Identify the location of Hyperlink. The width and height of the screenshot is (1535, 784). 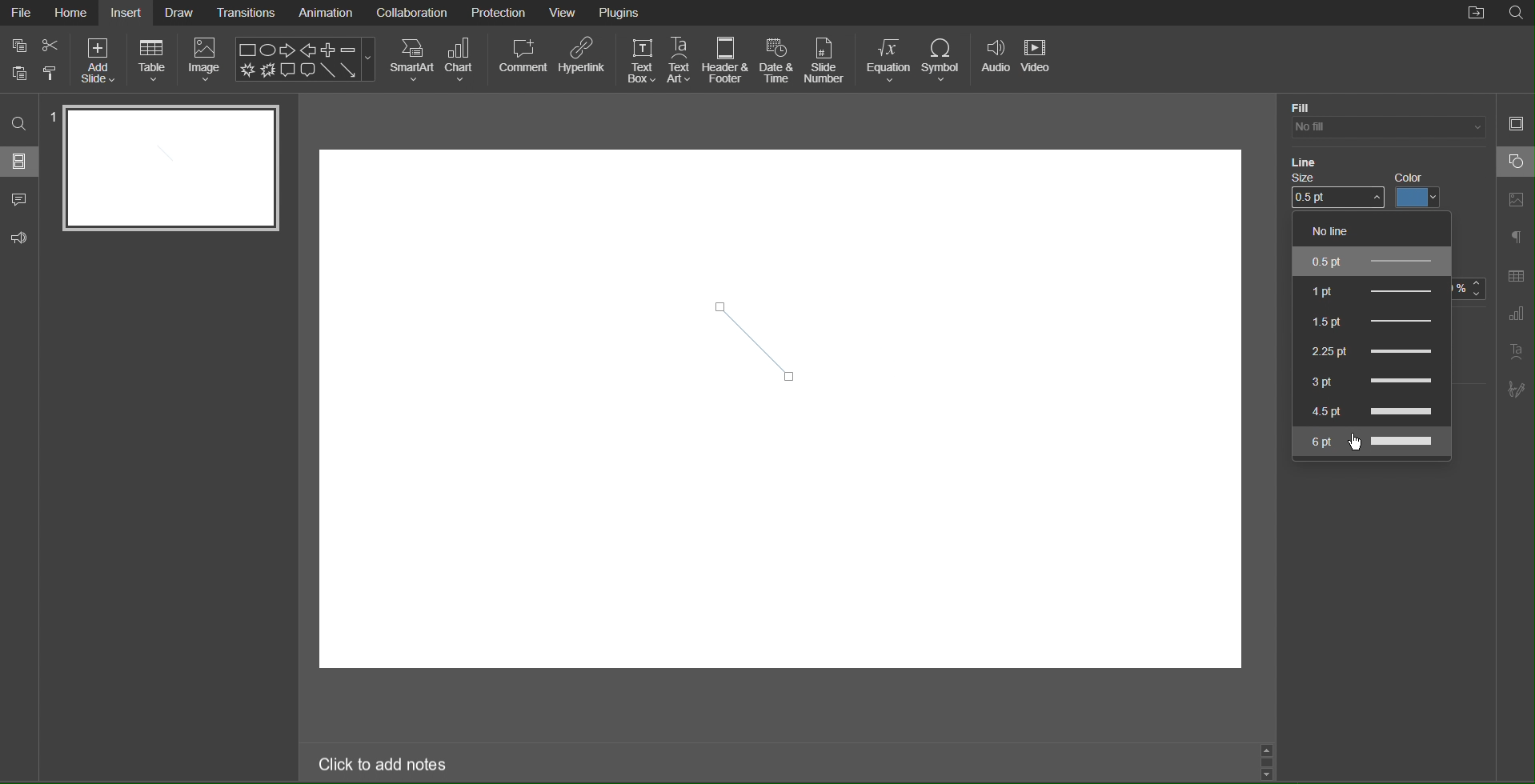
(582, 61).